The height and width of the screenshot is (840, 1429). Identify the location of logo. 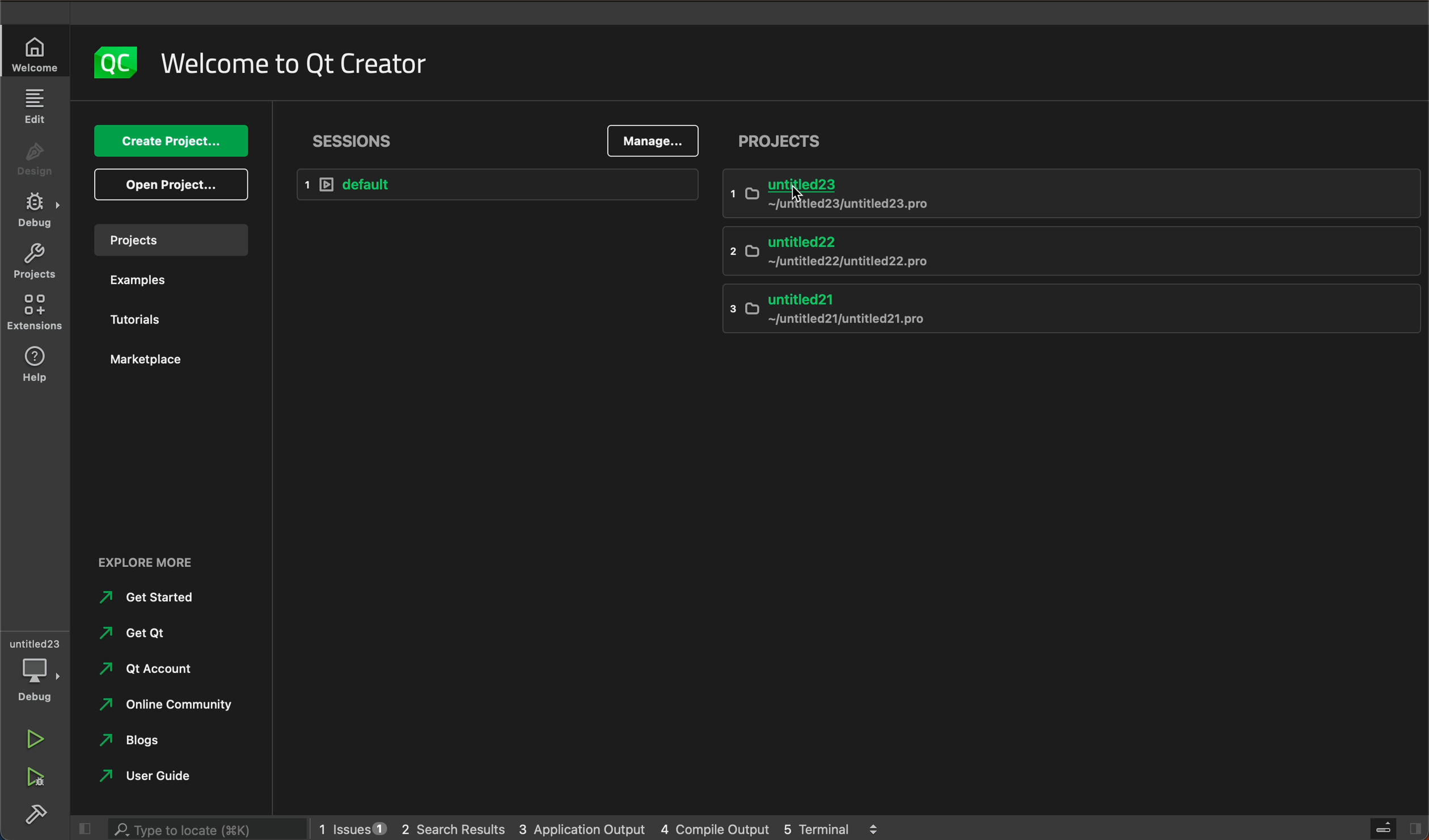
(116, 64).